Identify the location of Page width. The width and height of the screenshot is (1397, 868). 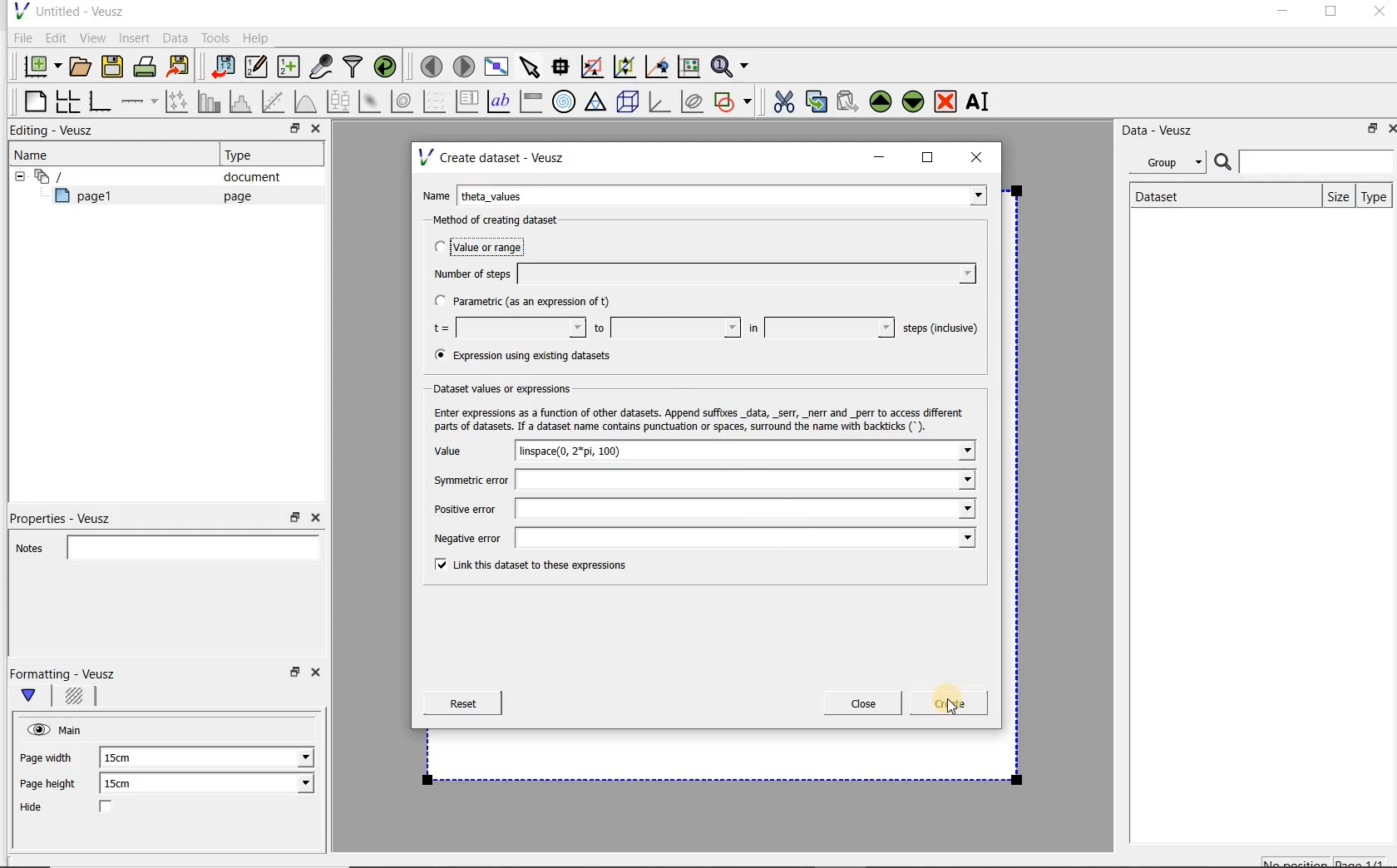
(47, 755).